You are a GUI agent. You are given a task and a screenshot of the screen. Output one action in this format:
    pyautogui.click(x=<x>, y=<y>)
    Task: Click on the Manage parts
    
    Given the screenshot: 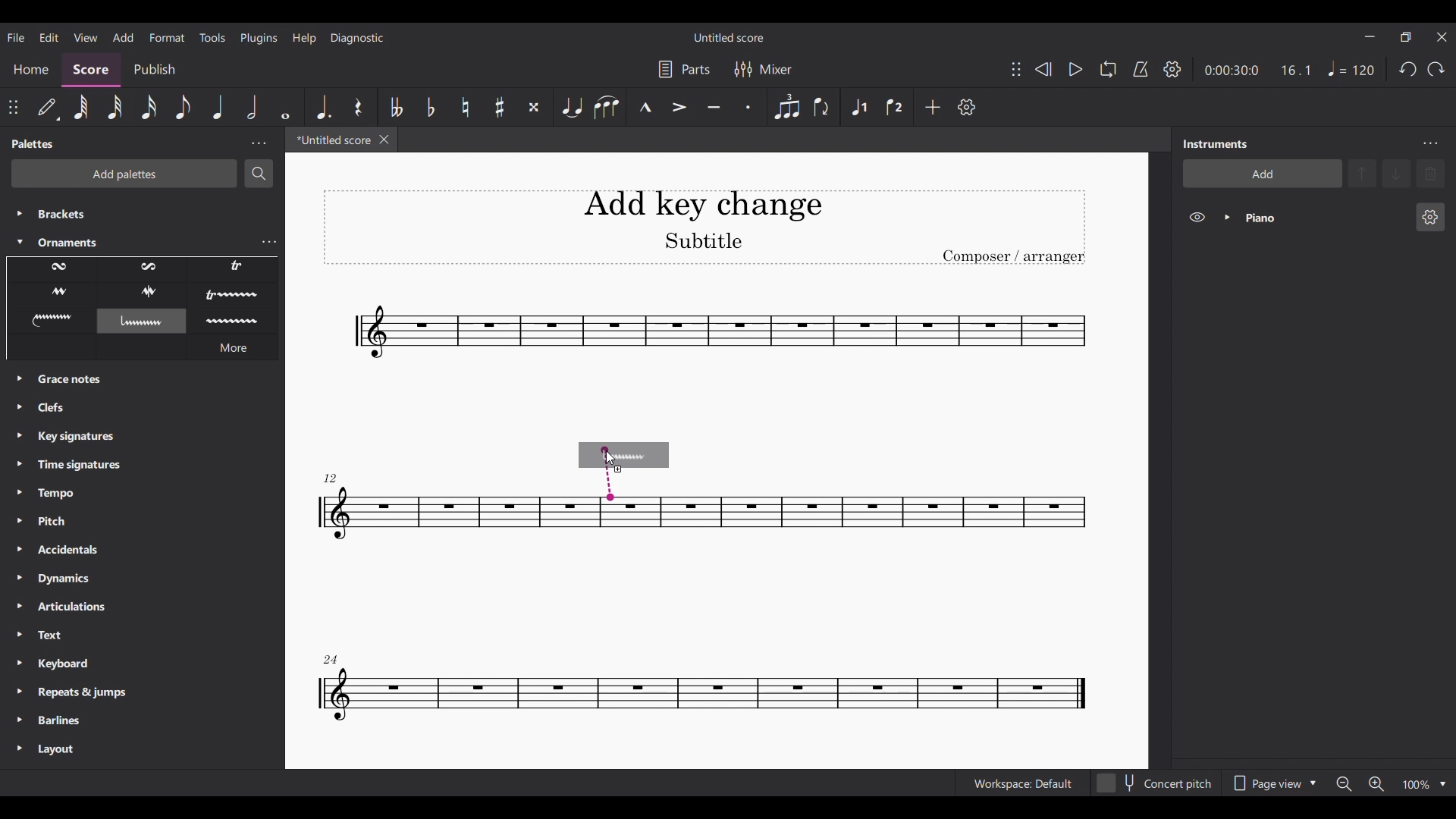 What is the action you would take?
    pyautogui.click(x=685, y=70)
    